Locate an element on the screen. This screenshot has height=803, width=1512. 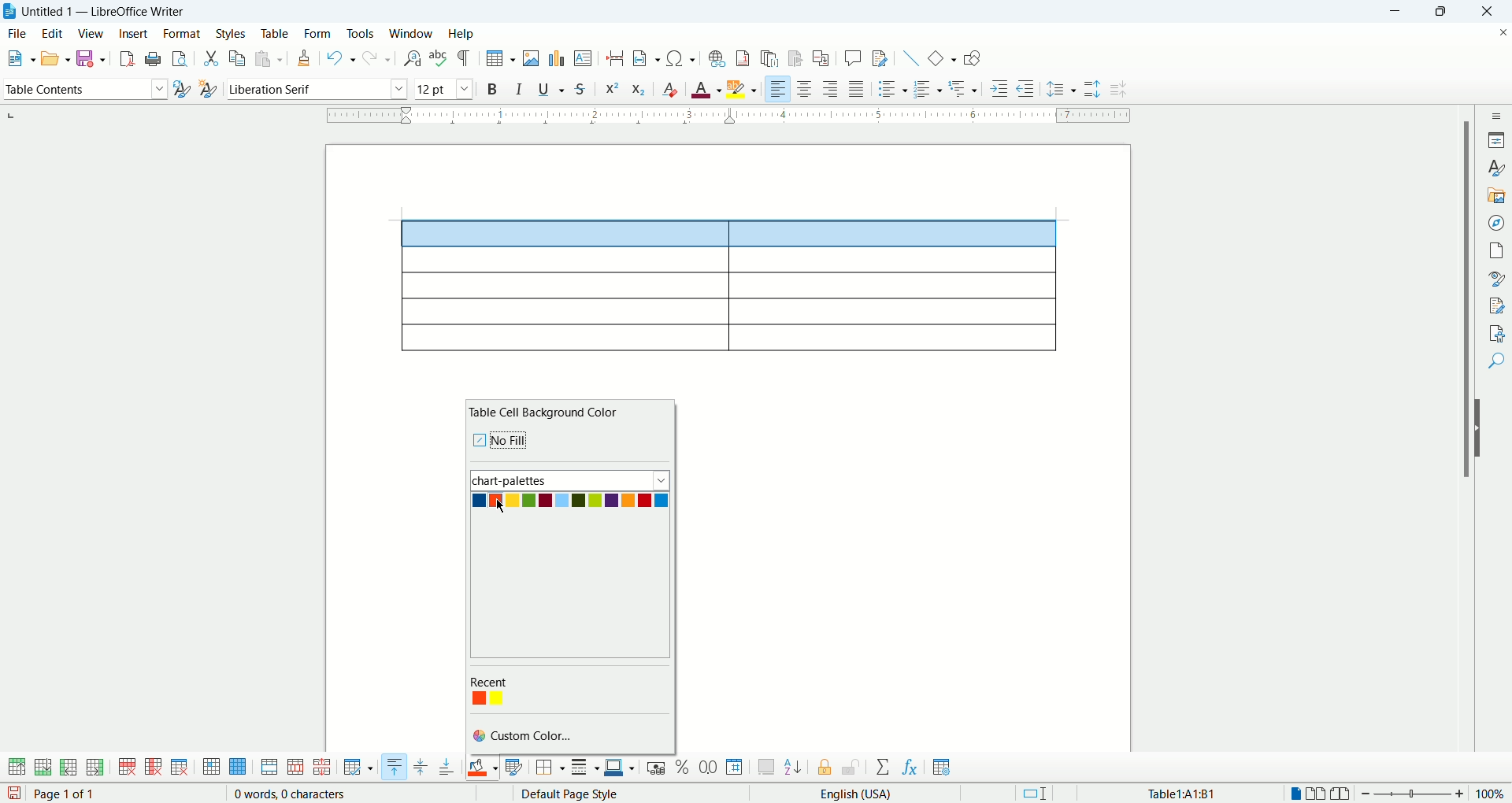
align right is located at coordinates (777, 87).